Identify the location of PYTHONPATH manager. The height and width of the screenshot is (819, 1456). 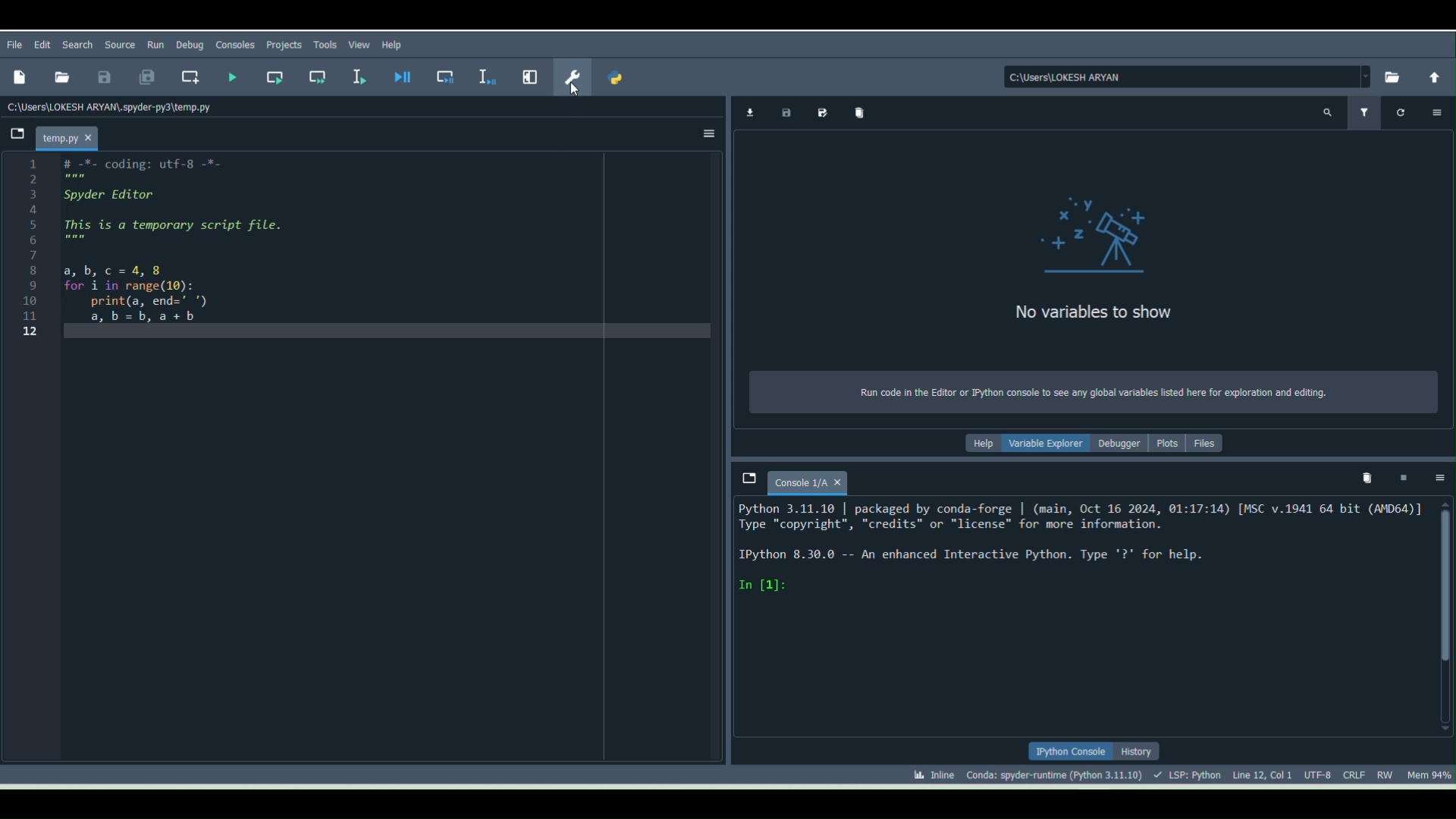
(619, 81).